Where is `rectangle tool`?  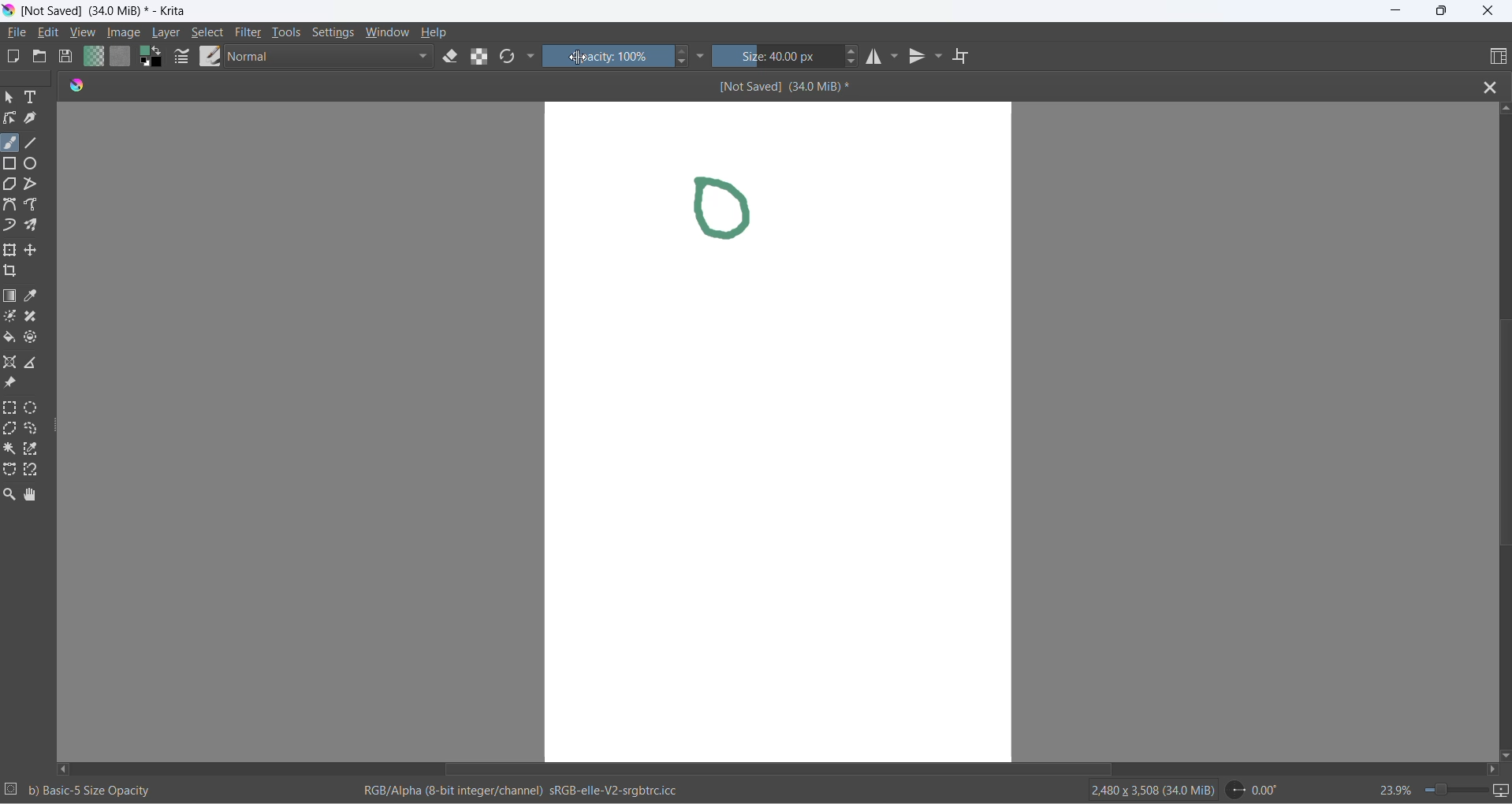 rectangle tool is located at coordinates (13, 164).